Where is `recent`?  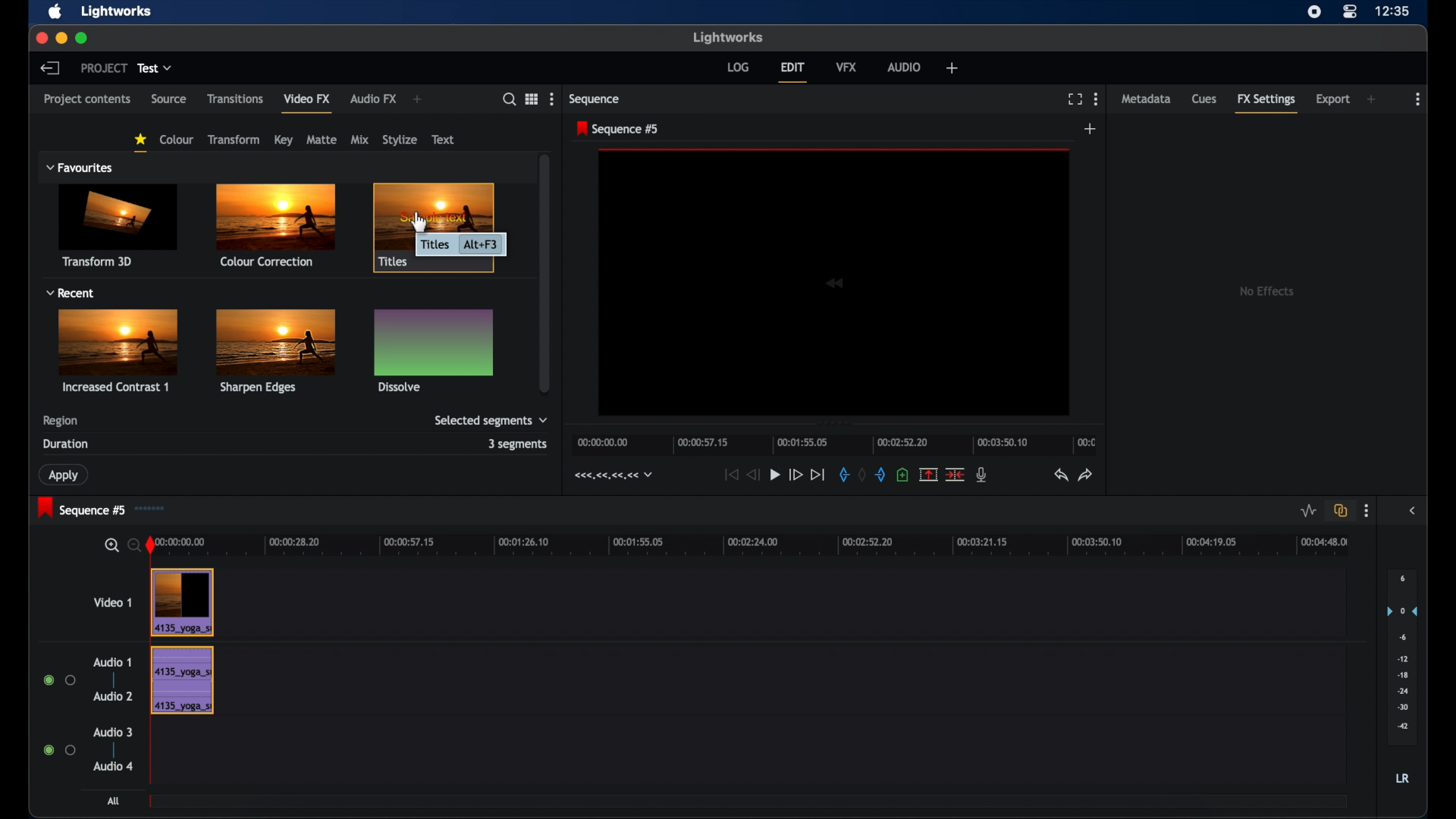
recent is located at coordinates (70, 293).